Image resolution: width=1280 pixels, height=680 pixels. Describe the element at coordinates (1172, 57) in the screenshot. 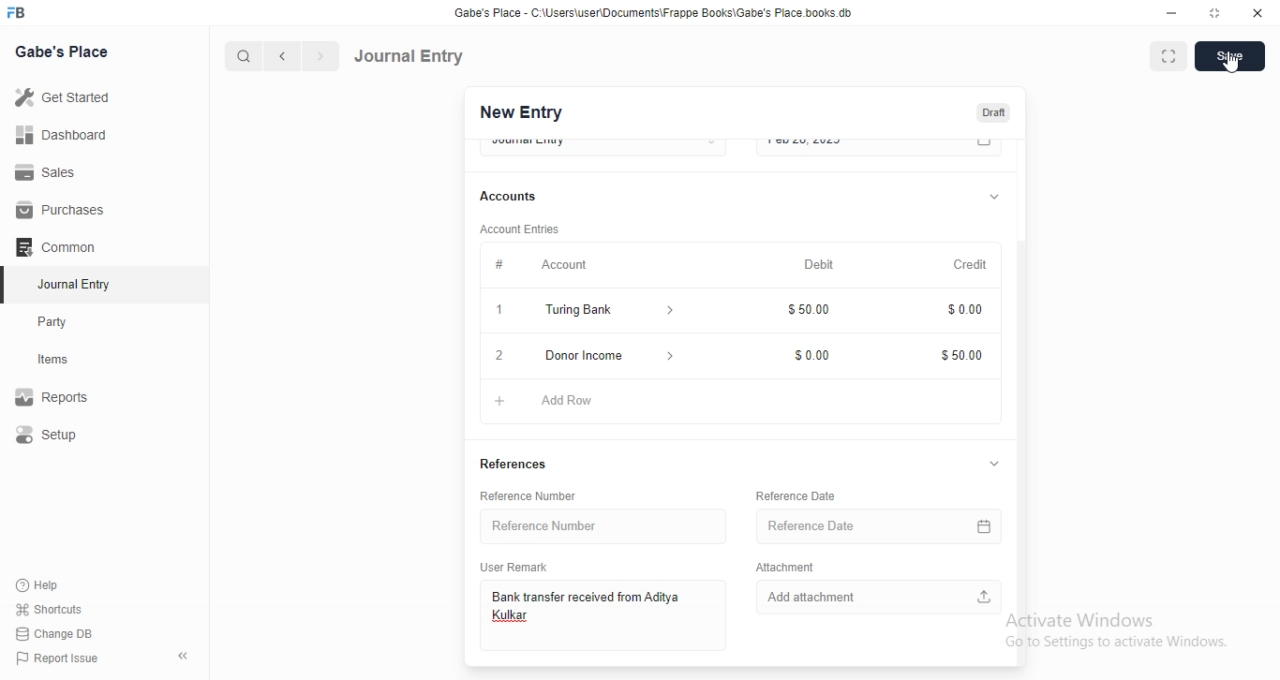

I see `full screen` at that location.